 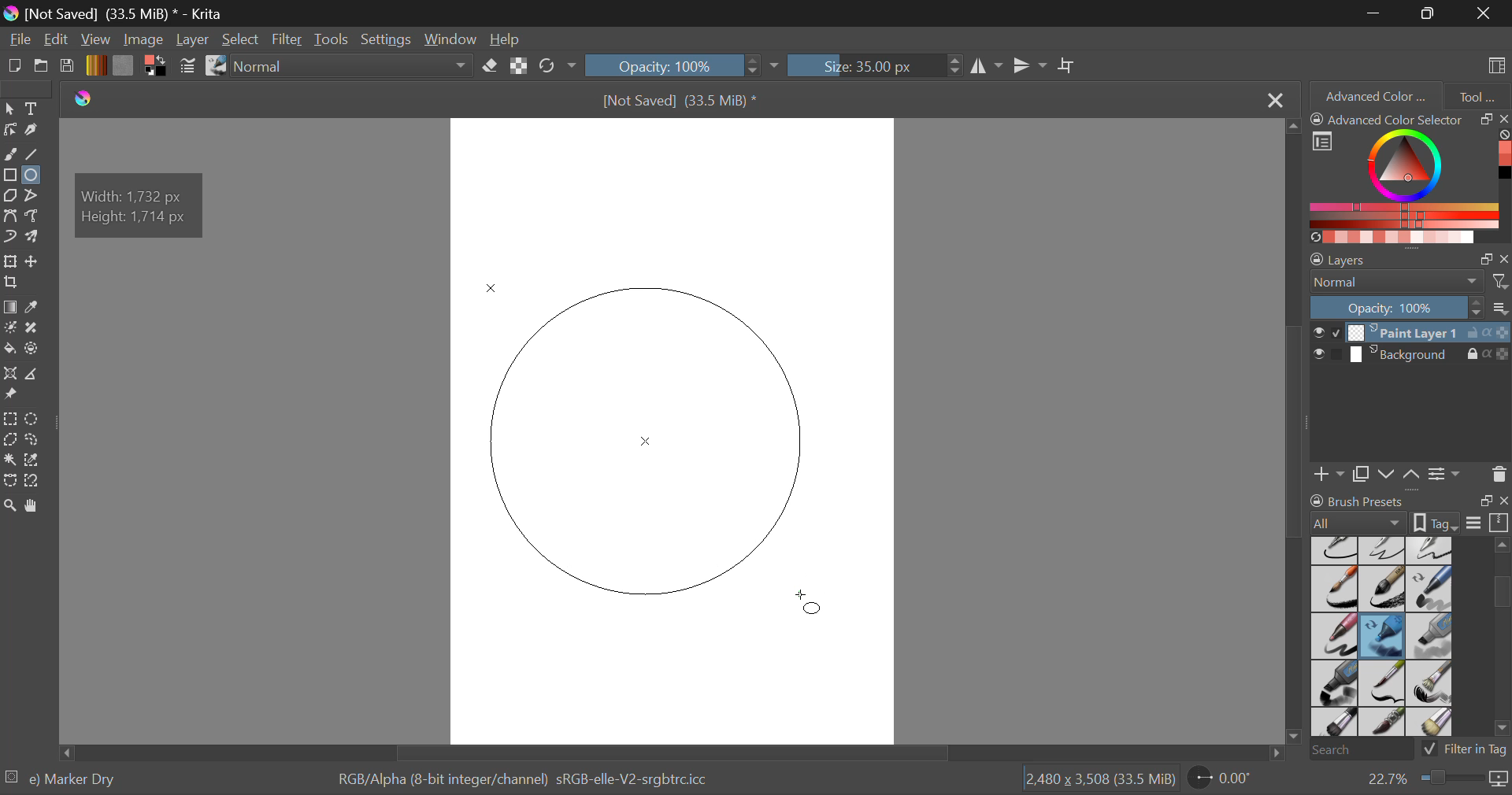 What do you see at coordinates (1410, 357) in the screenshot?
I see `Background Layer` at bounding box center [1410, 357].